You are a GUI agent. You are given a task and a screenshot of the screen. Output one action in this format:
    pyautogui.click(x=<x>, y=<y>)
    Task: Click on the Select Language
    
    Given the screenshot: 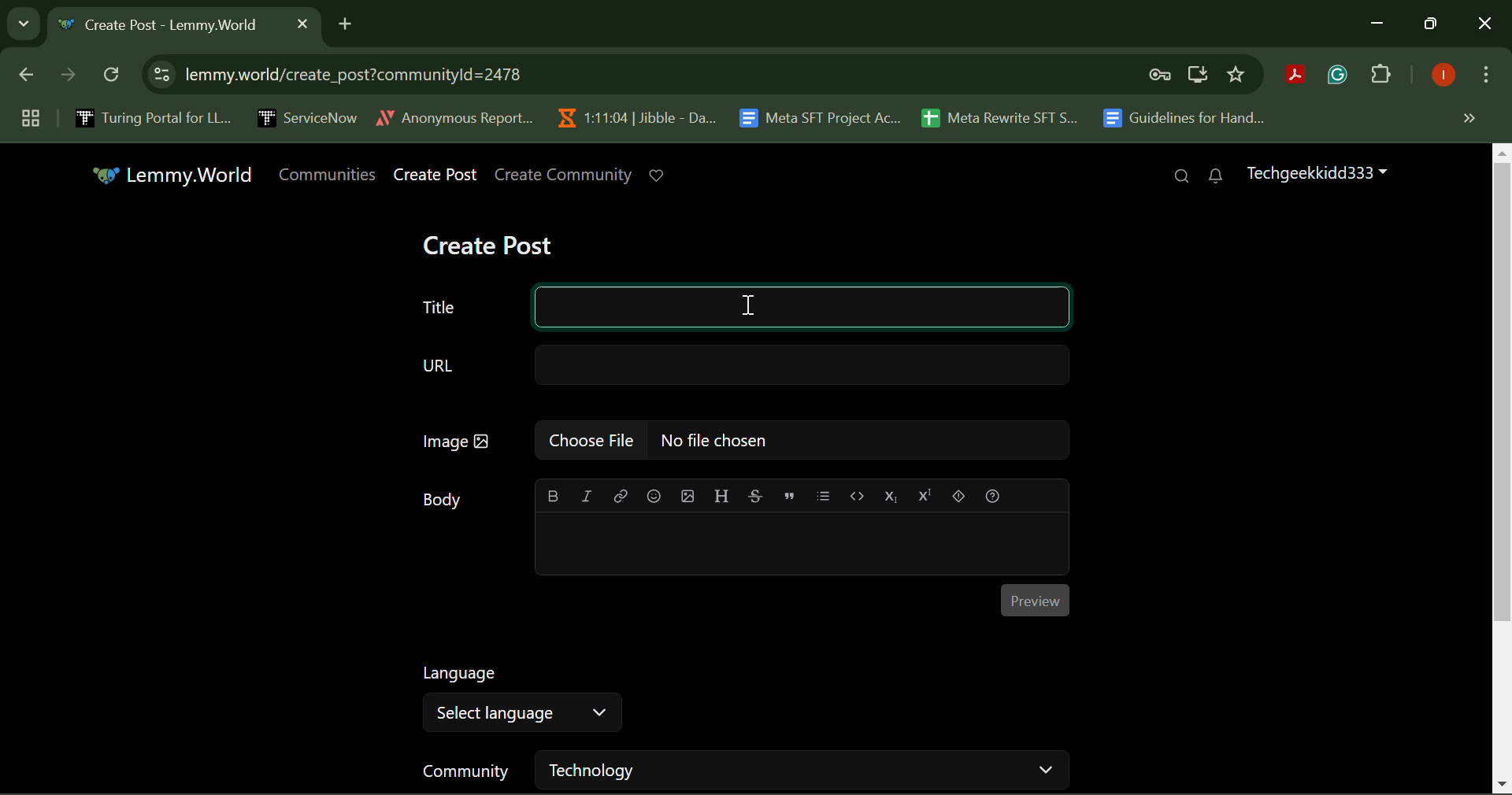 What is the action you would take?
    pyautogui.click(x=521, y=699)
    